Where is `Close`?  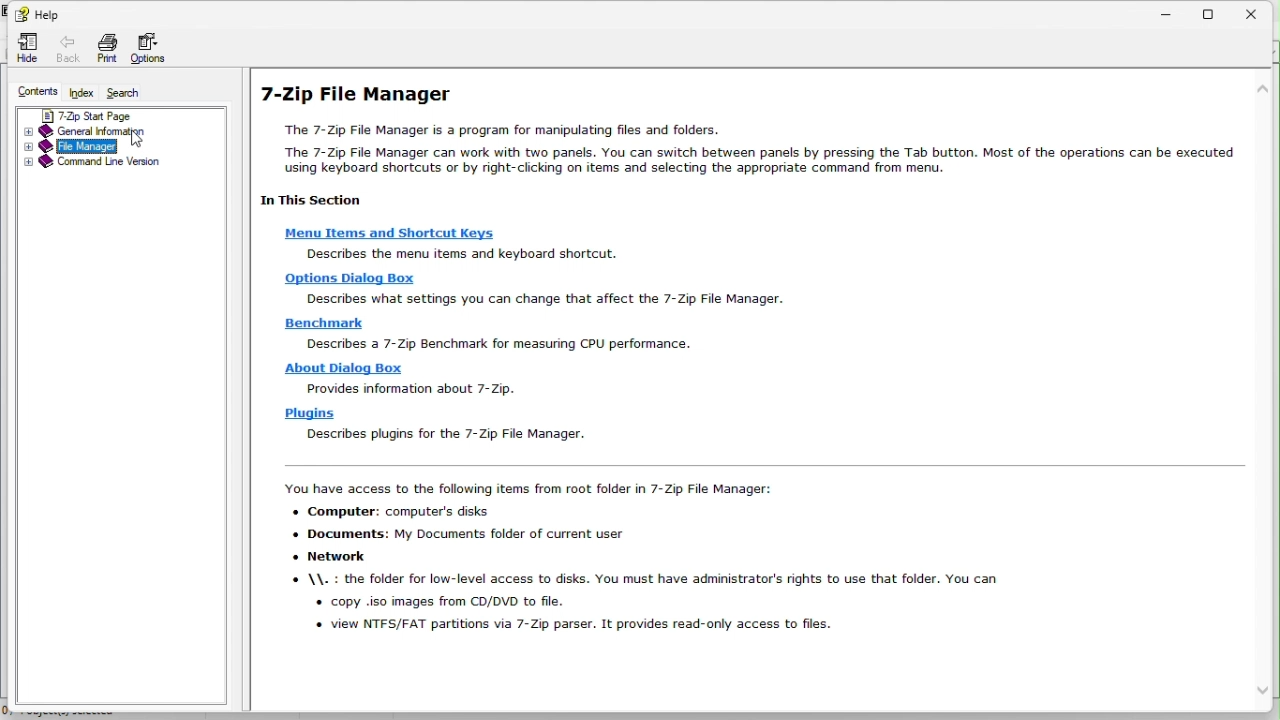 Close is located at coordinates (1260, 10).